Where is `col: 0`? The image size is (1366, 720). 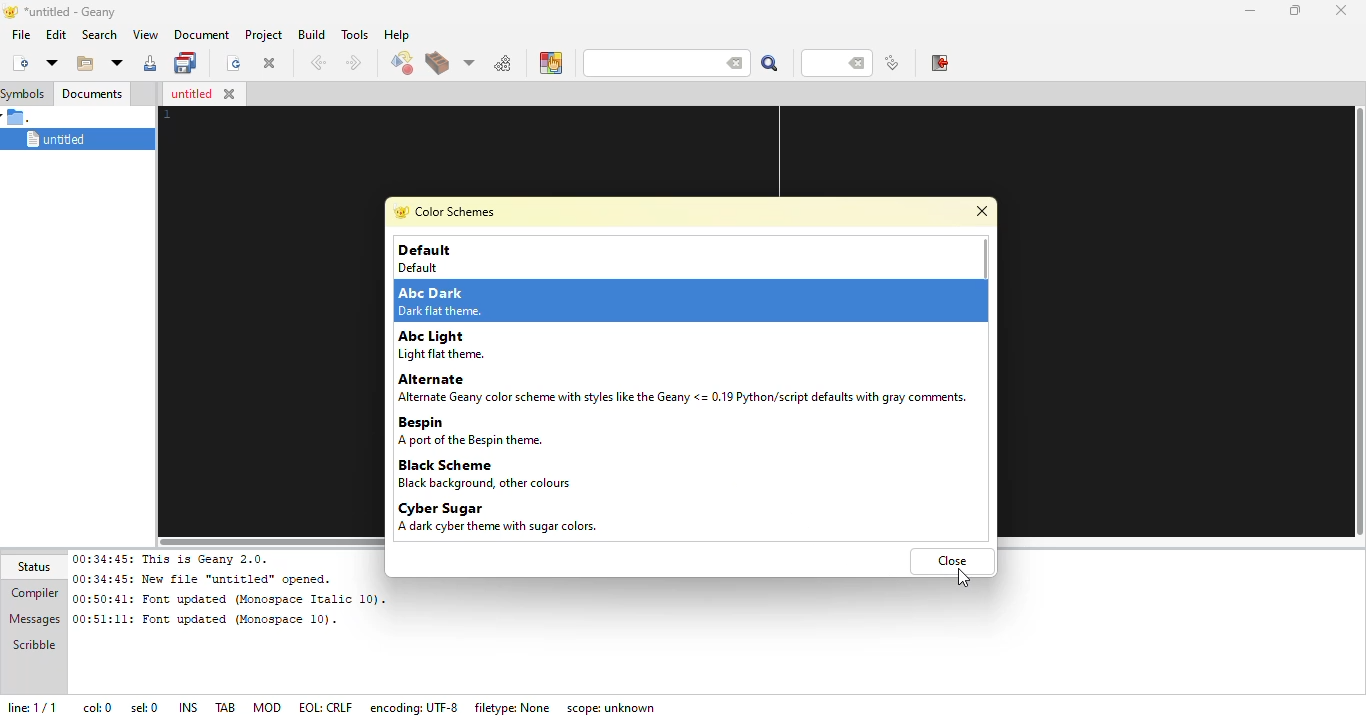 col: 0 is located at coordinates (97, 708).